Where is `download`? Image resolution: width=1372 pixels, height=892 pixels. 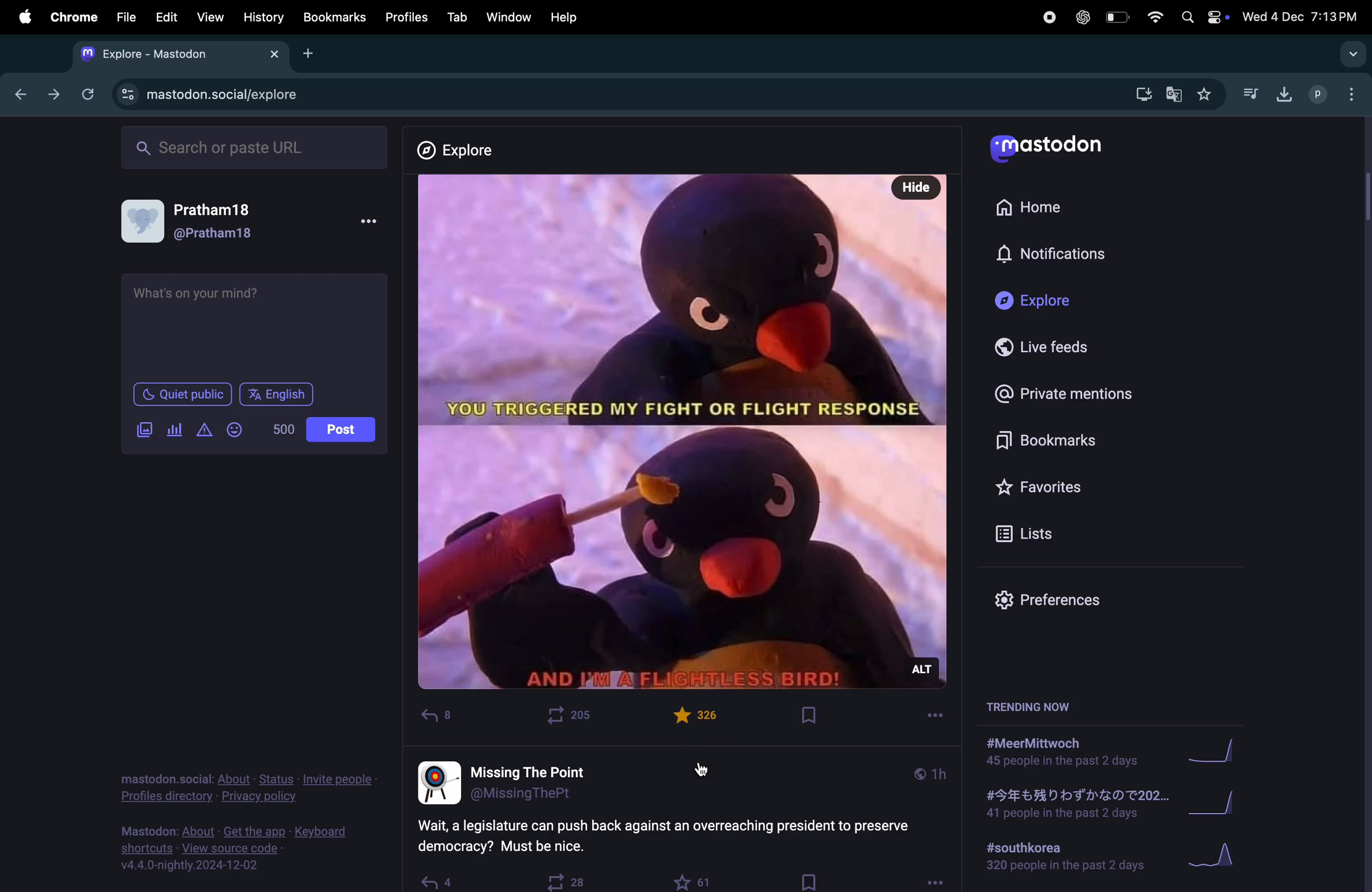
download is located at coordinates (1139, 92).